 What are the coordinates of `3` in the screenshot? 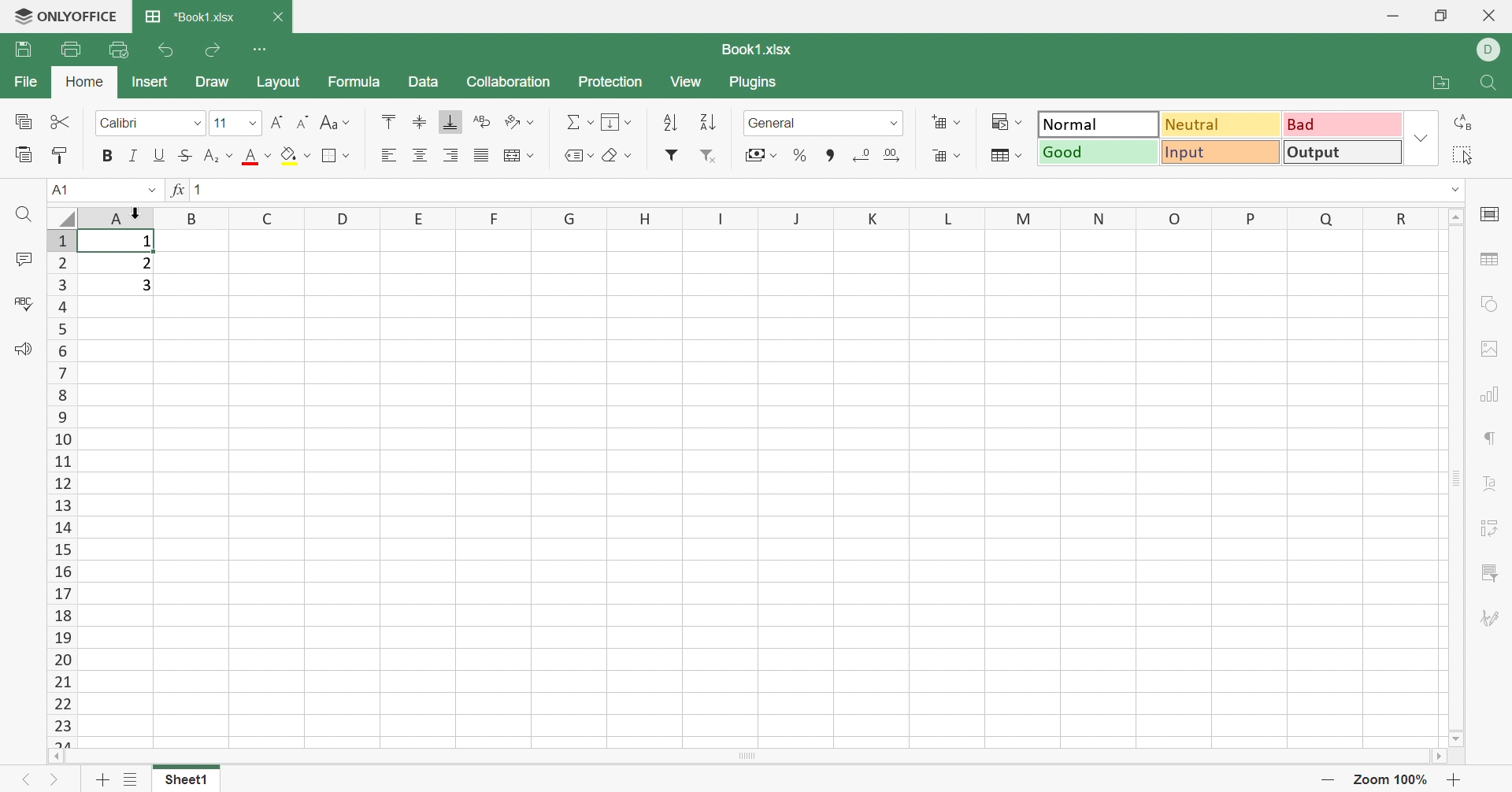 It's located at (146, 284).